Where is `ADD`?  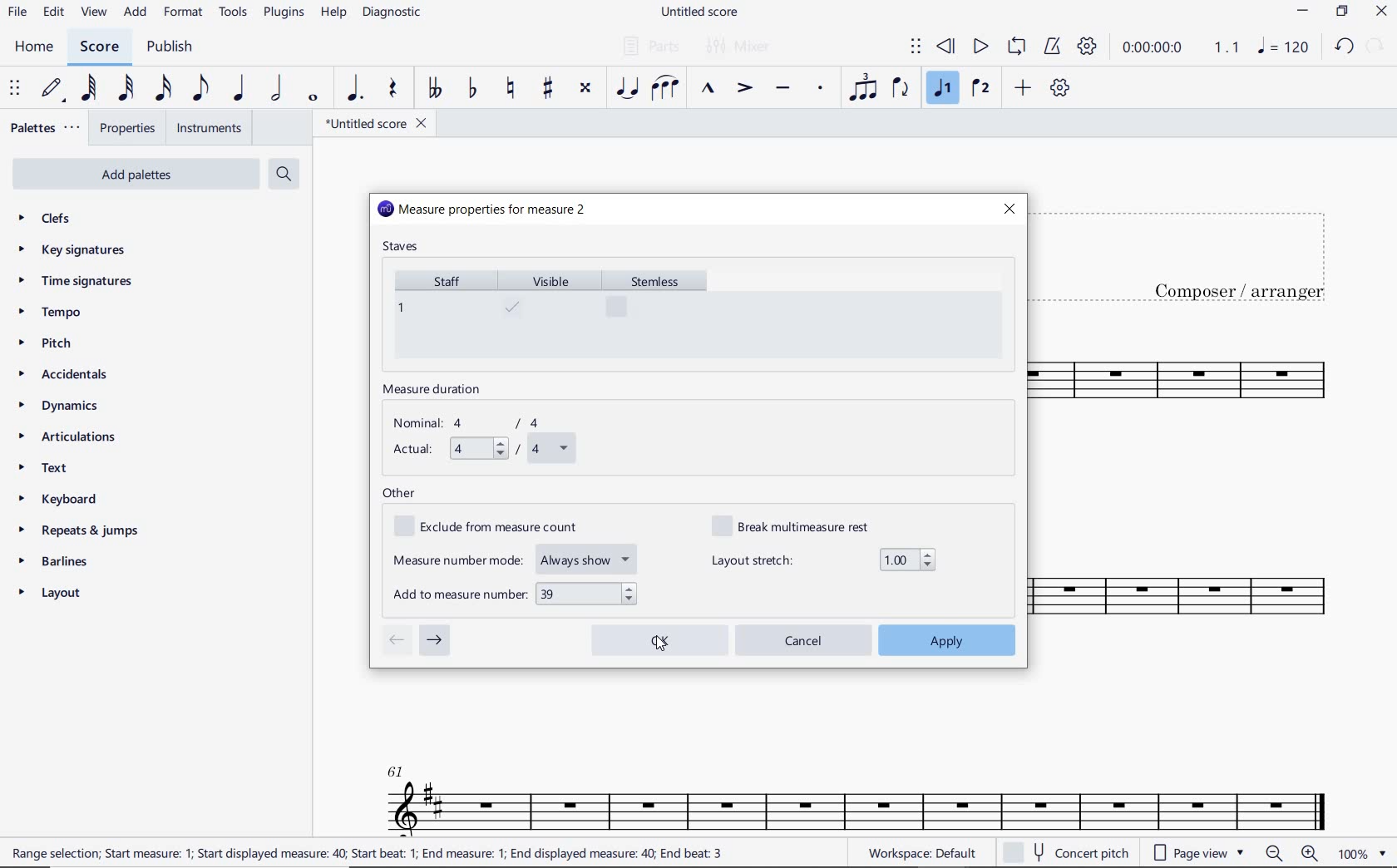 ADD is located at coordinates (1020, 89).